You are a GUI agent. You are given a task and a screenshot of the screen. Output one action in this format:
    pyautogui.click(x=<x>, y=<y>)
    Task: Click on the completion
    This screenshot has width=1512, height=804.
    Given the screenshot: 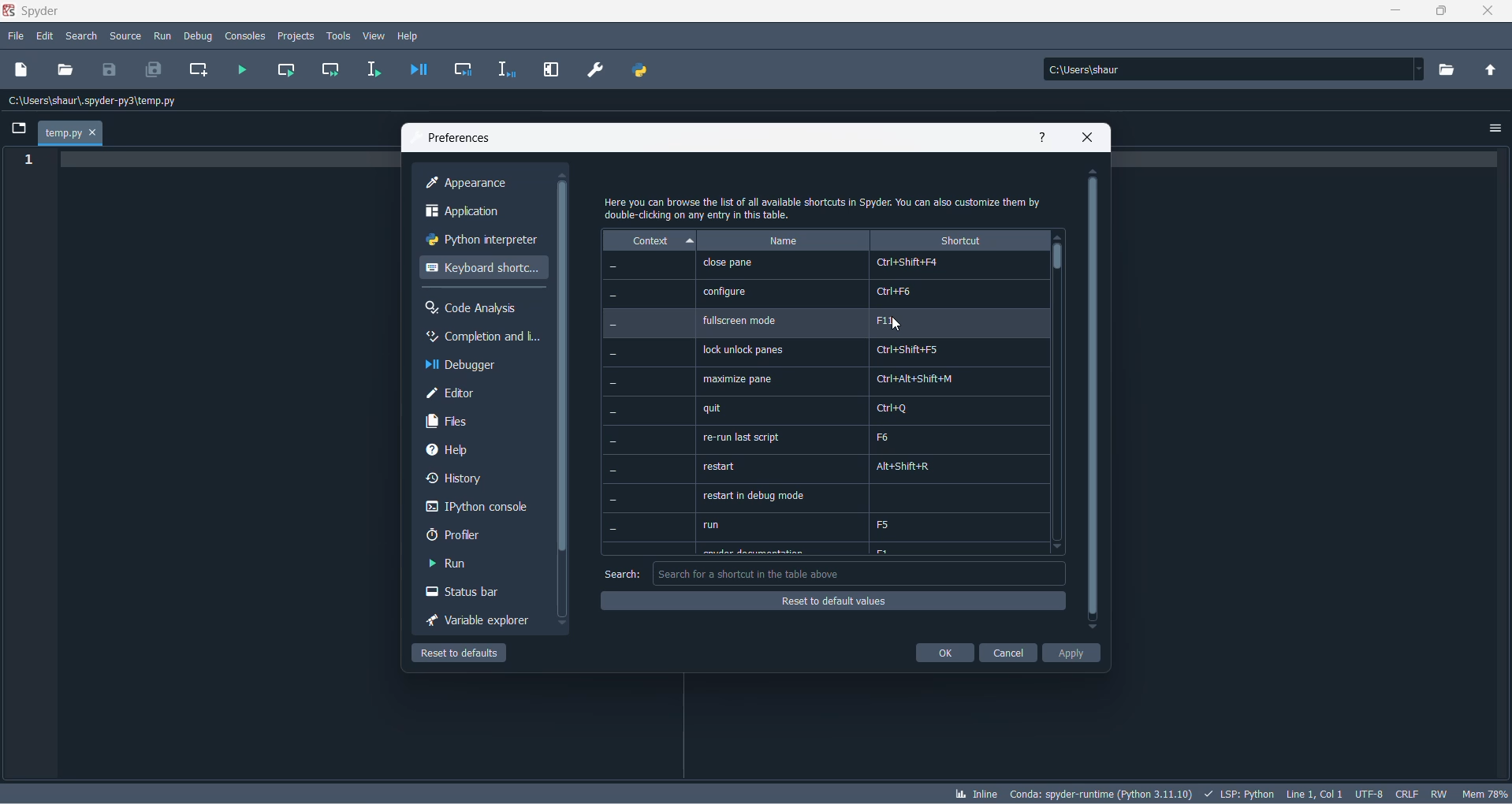 What is the action you would take?
    pyautogui.click(x=481, y=338)
    